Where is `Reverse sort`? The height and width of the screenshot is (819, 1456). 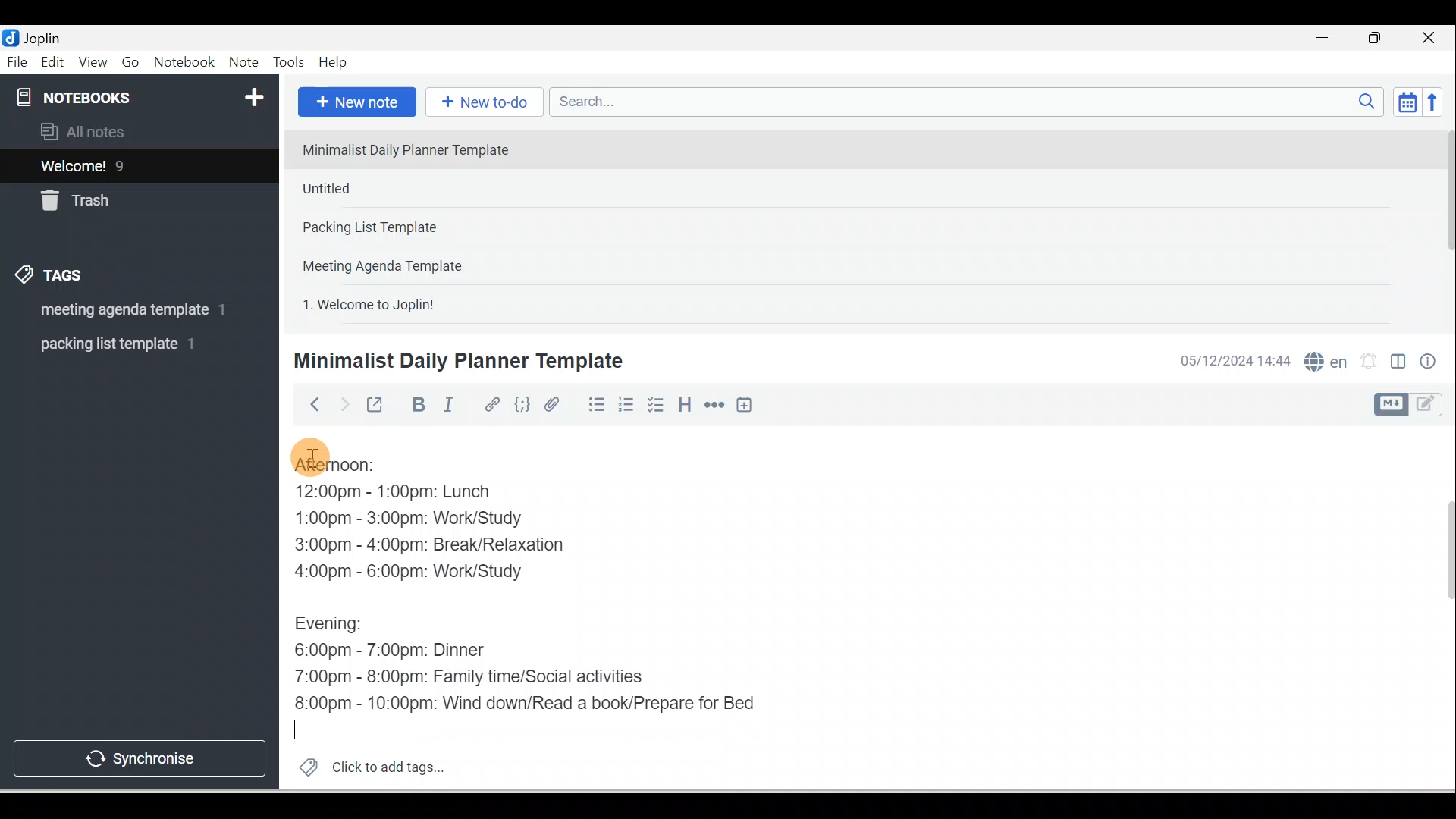
Reverse sort is located at coordinates (1437, 102).